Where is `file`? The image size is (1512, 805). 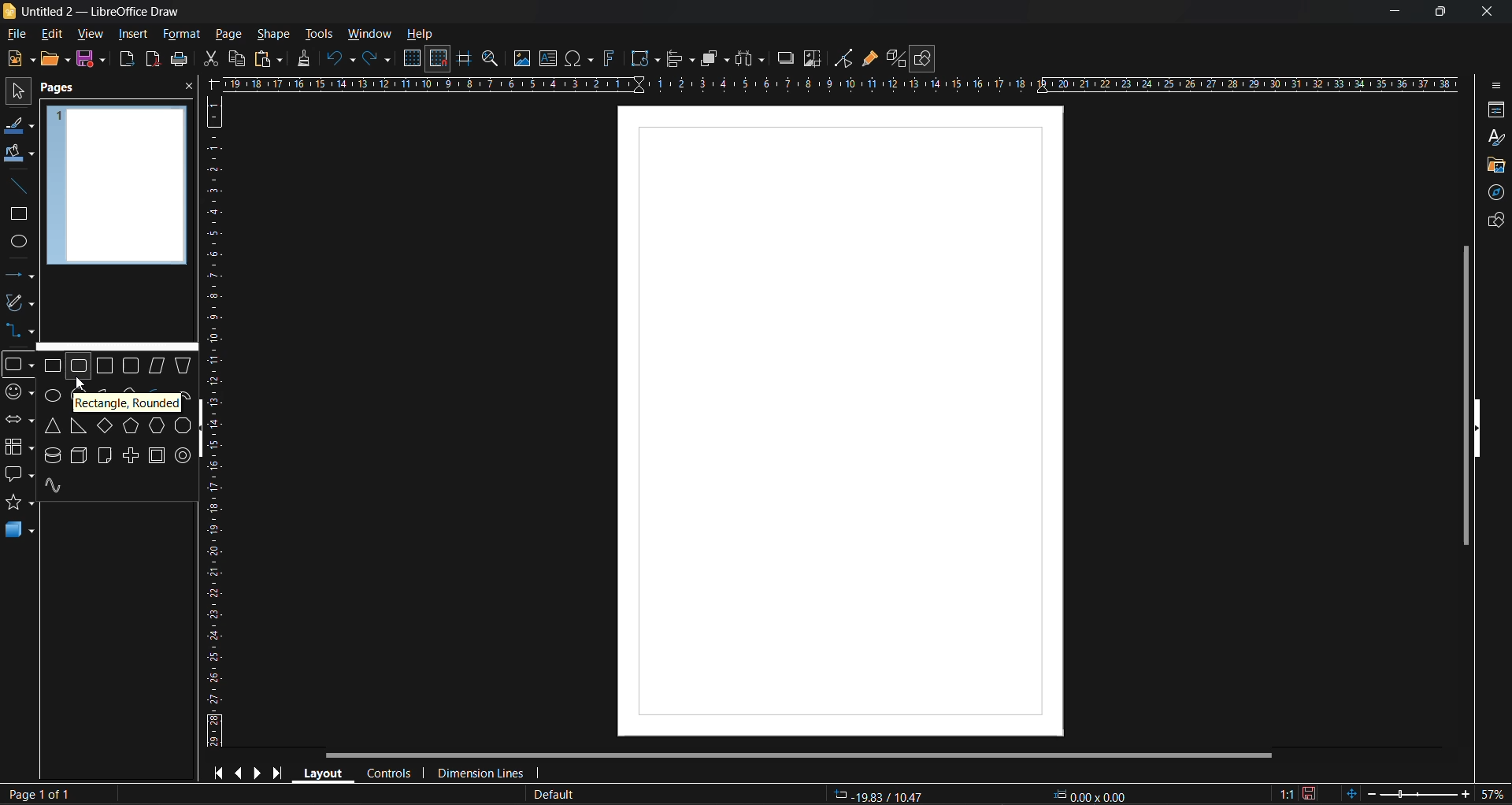 file is located at coordinates (19, 35).